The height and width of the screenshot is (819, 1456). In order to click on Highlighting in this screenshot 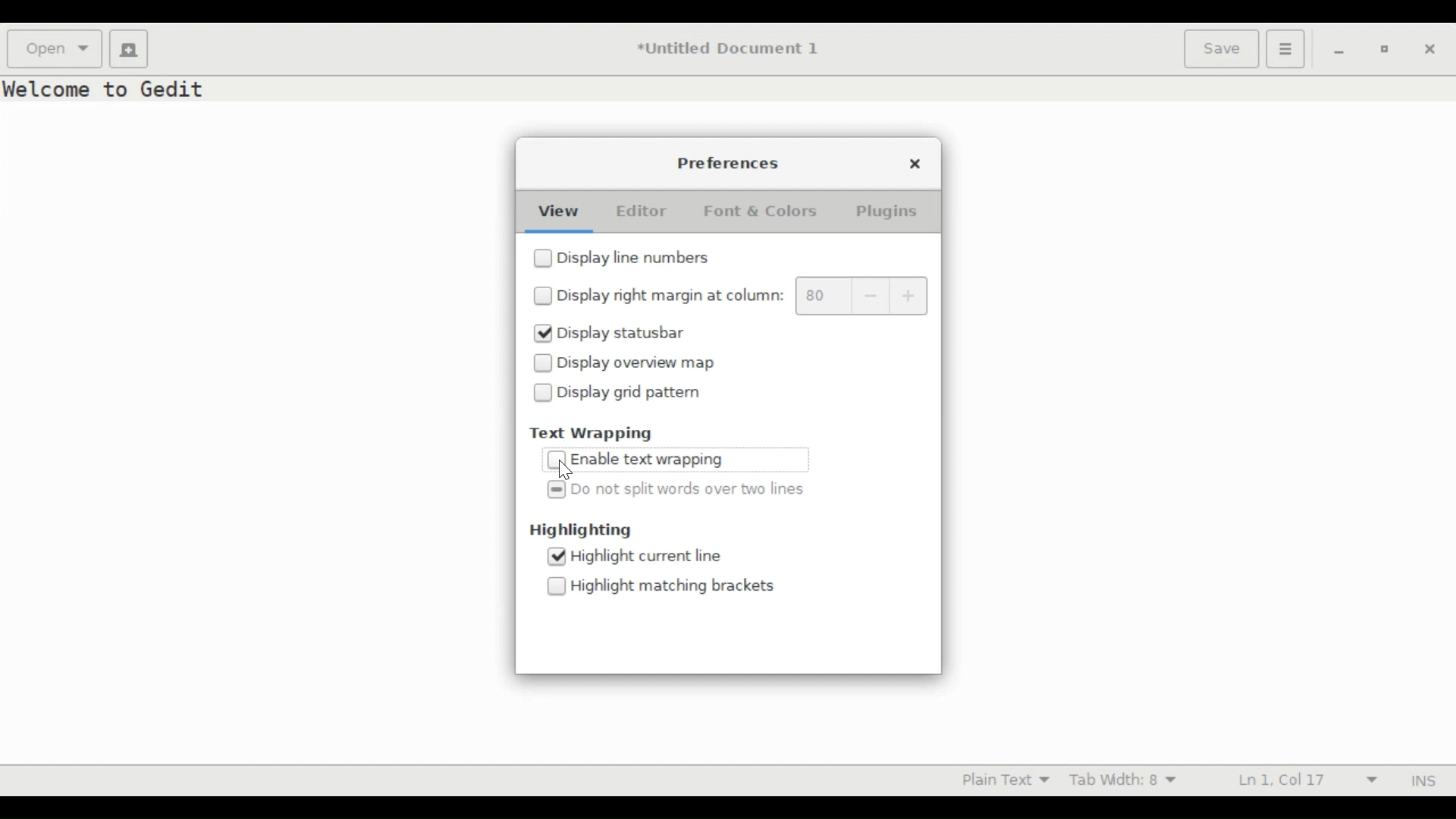, I will do `click(580, 531)`.